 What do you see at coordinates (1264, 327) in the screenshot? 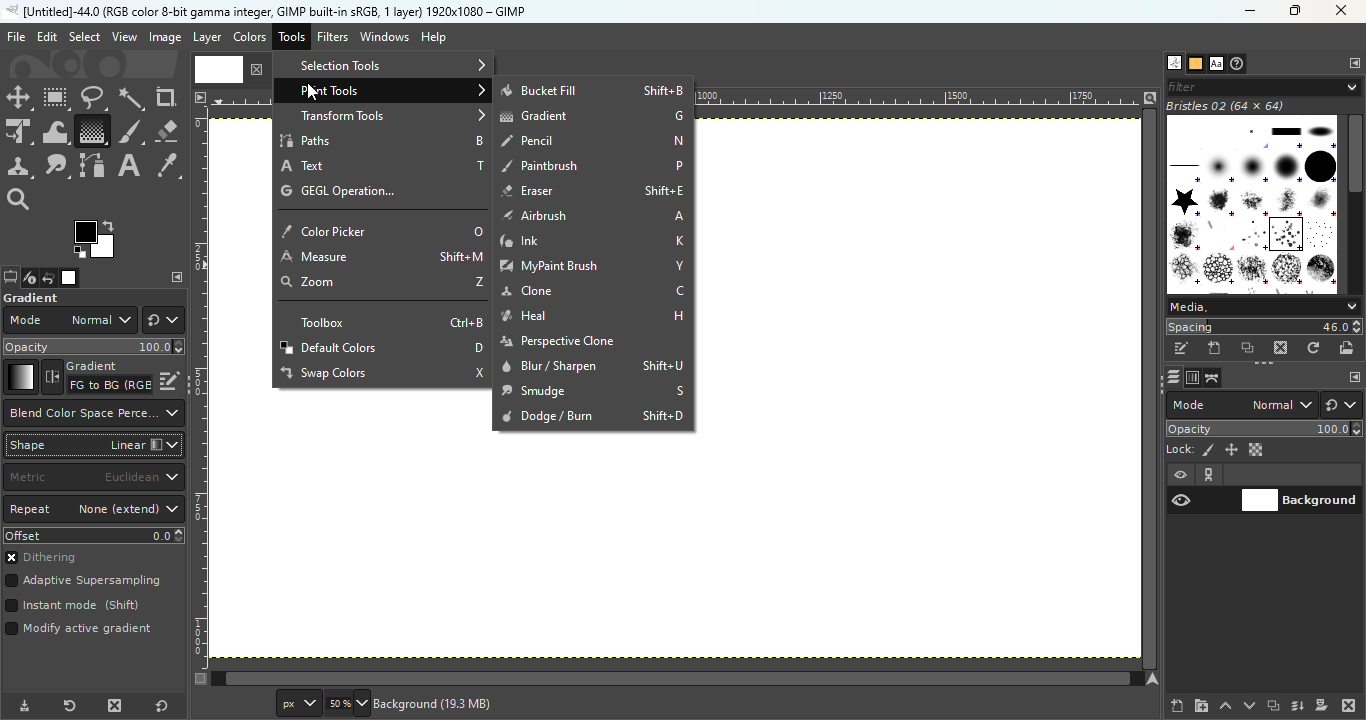
I see `Spacing` at bounding box center [1264, 327].